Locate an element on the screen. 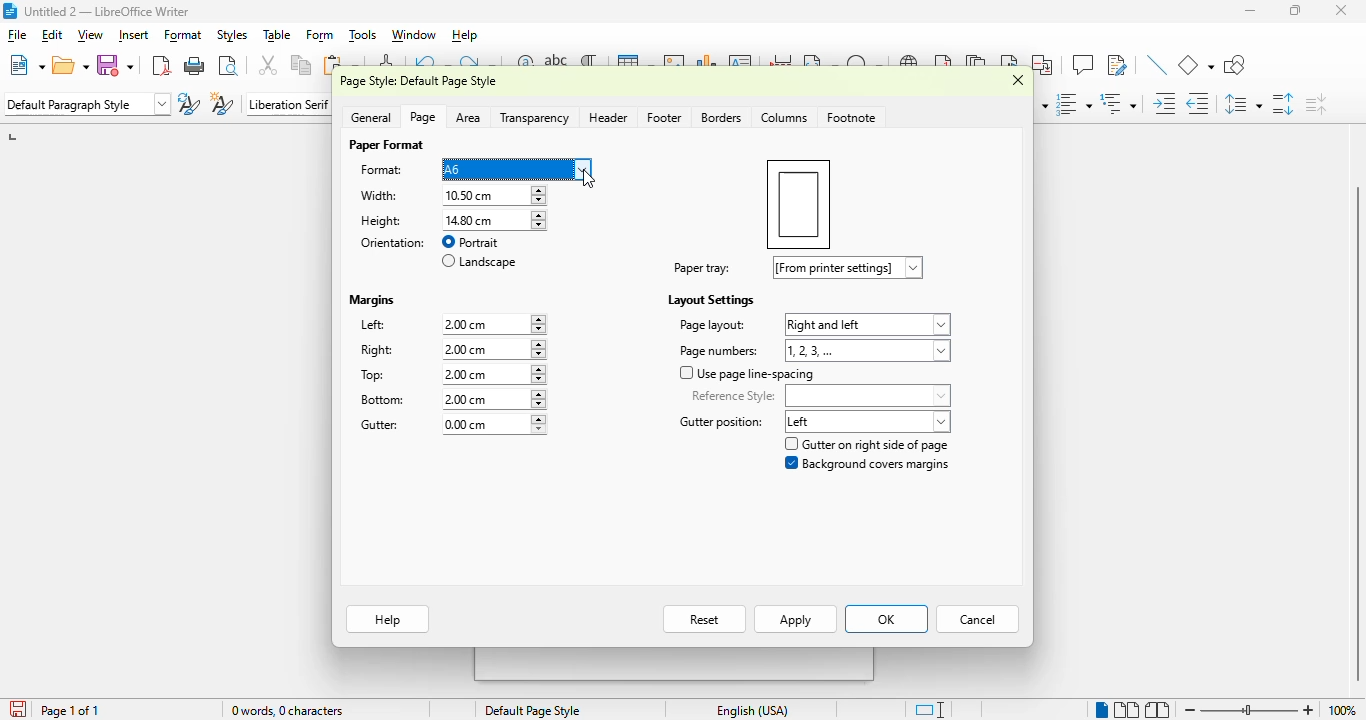 The width and height of the screenshot is (1366, 720). click to save the document is located at coordinates (19, 709).